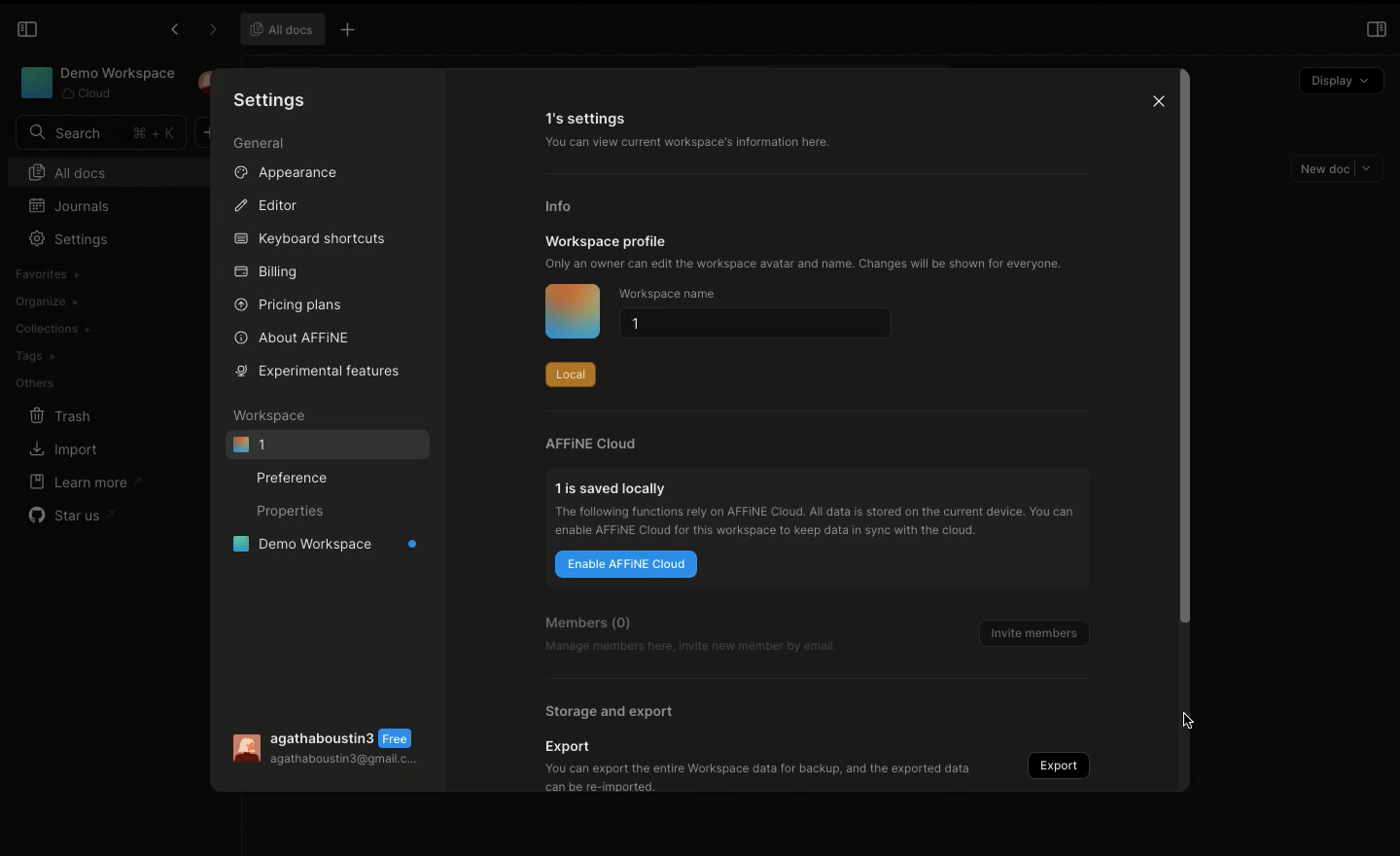 This screenshot has height=856, width=1400. Describe the element at coordinates (593, 446) in the screenshot. I see `AFFINE cloud` at that location.